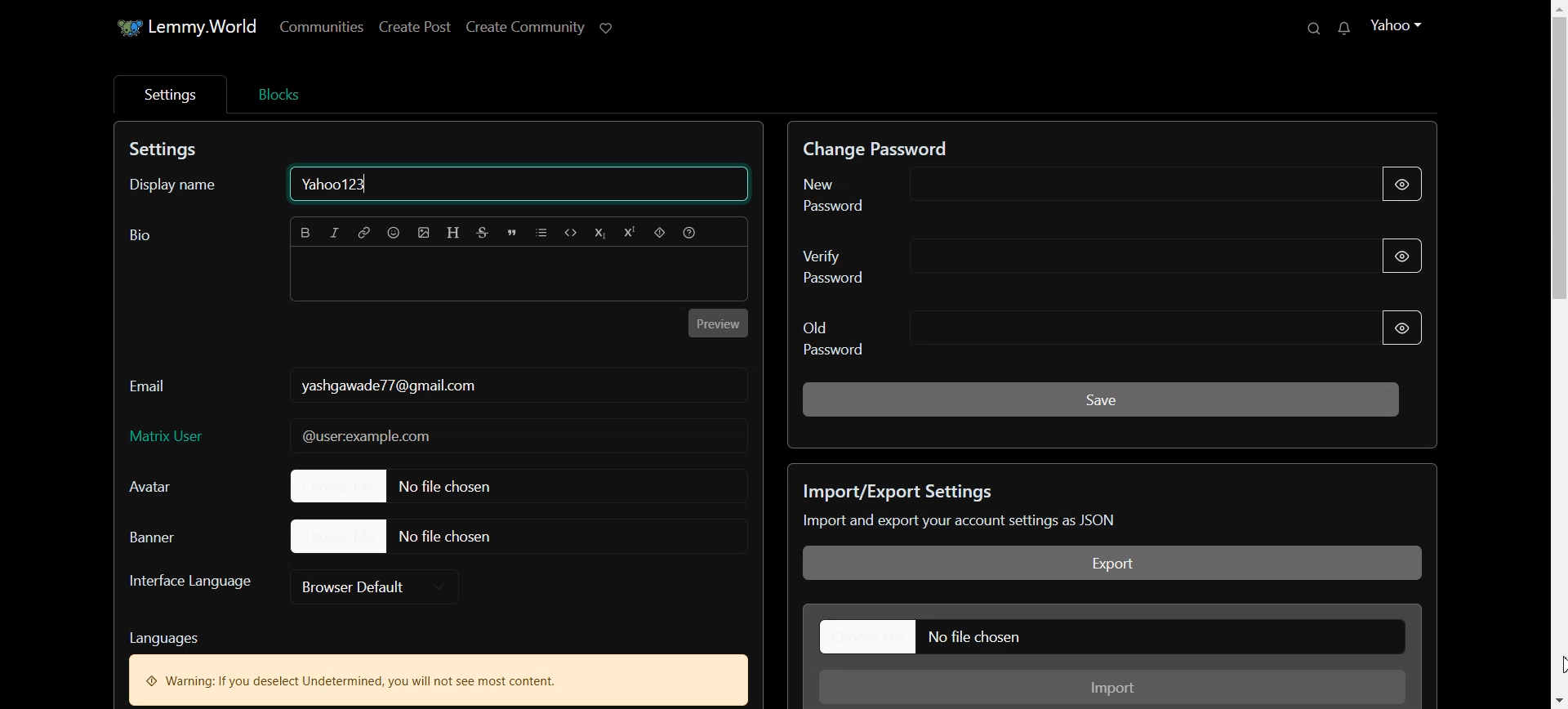  What do you see at coordinates (182, 187) in the screenshot?
I see `Display name` at bounding box center [182, 187].